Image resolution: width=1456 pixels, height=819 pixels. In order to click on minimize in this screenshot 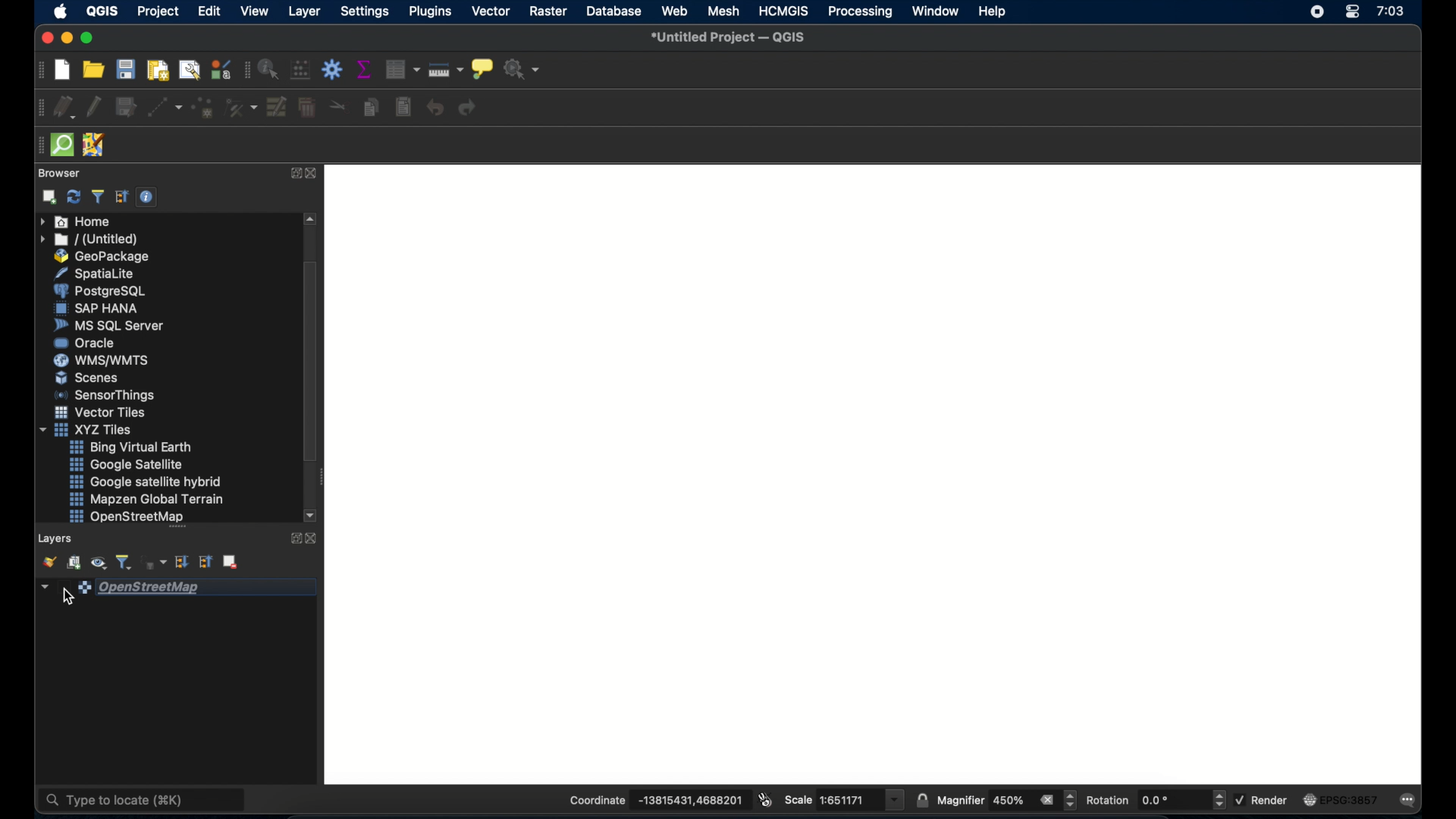, I will do `click(64, 36)`.